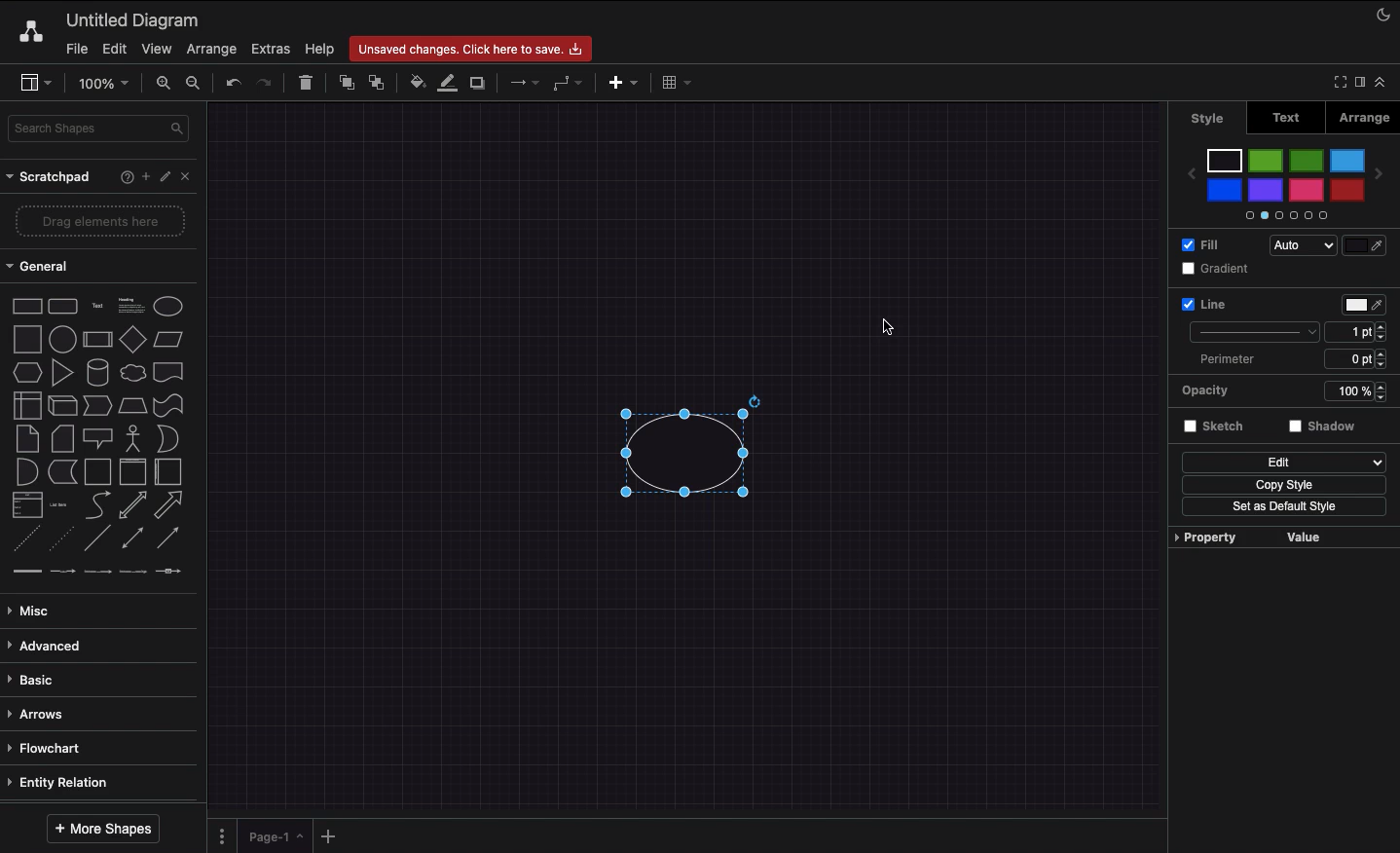 This screenshot has height=853, width=1400. What do you see at coordinates (157, 46) in the screenshot?
I see `View` at bounding box center [157, 46].